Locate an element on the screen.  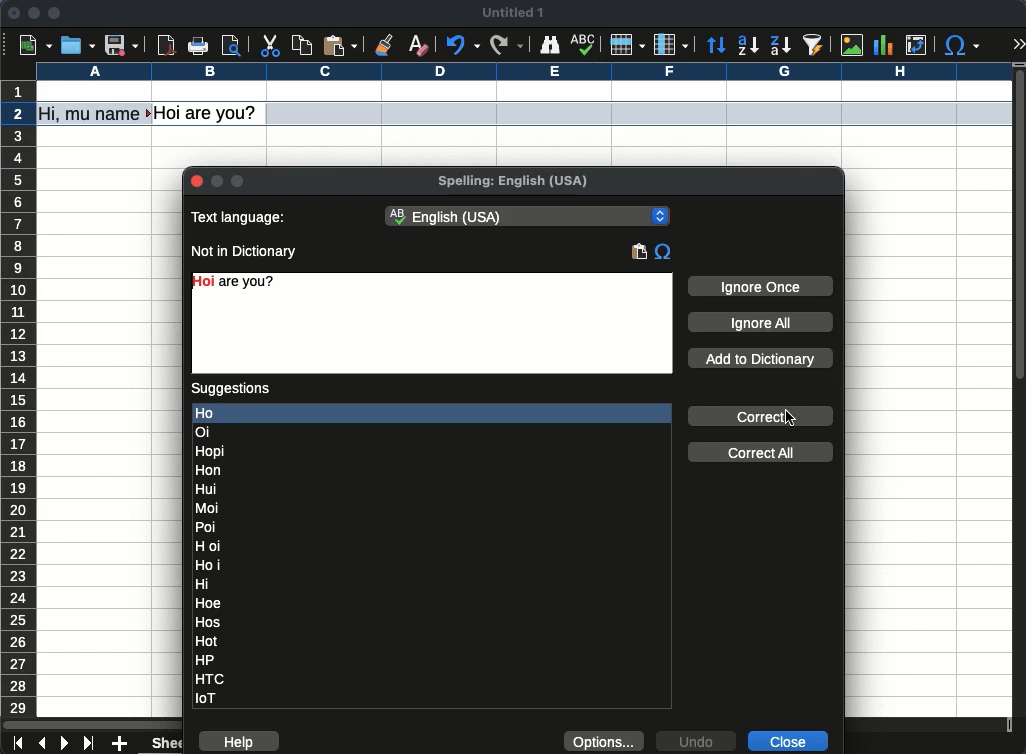
add is located at coordinates (121, 743).